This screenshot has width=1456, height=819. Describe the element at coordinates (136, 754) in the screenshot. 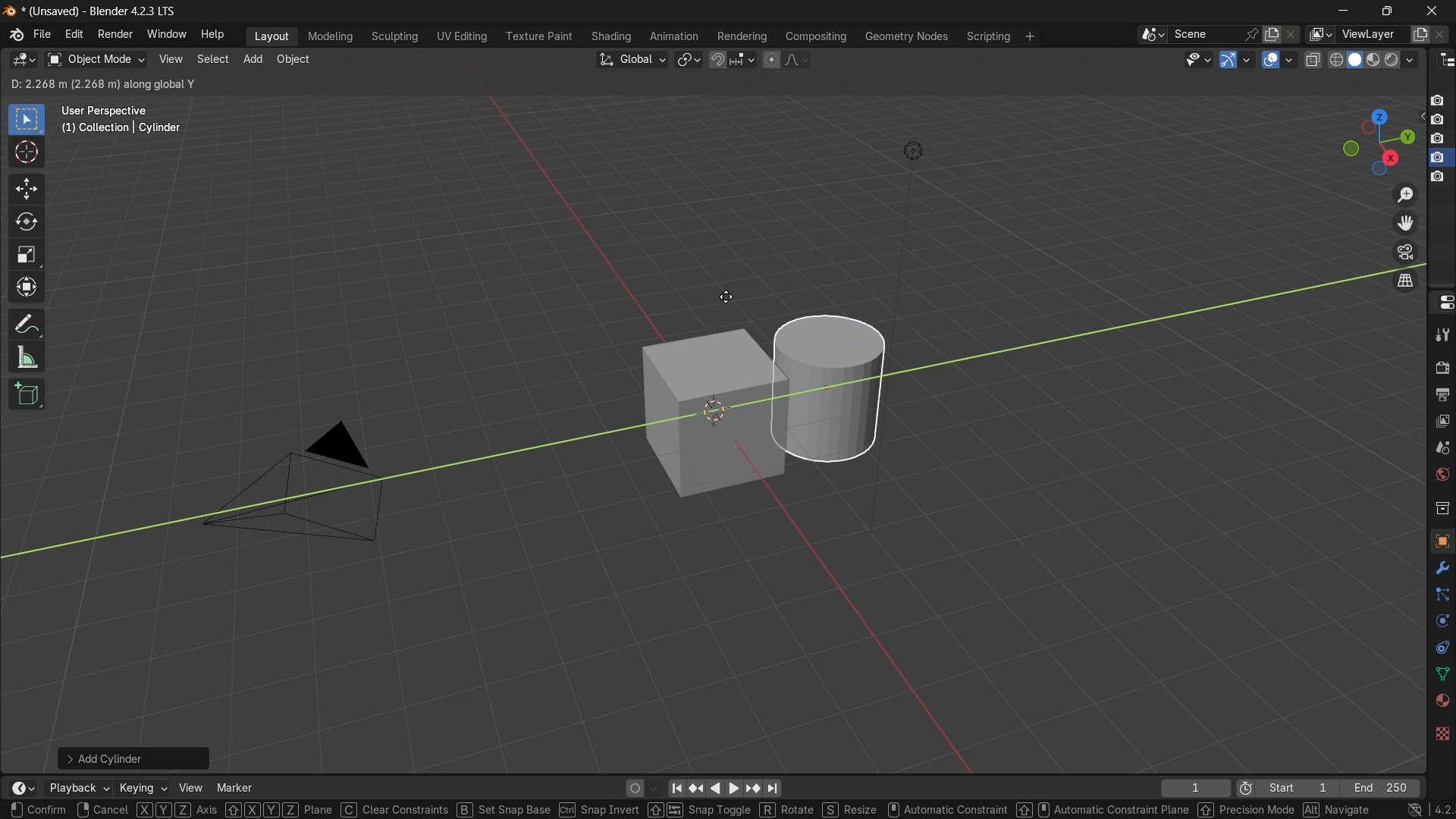

I see `add cylinder` at that location.